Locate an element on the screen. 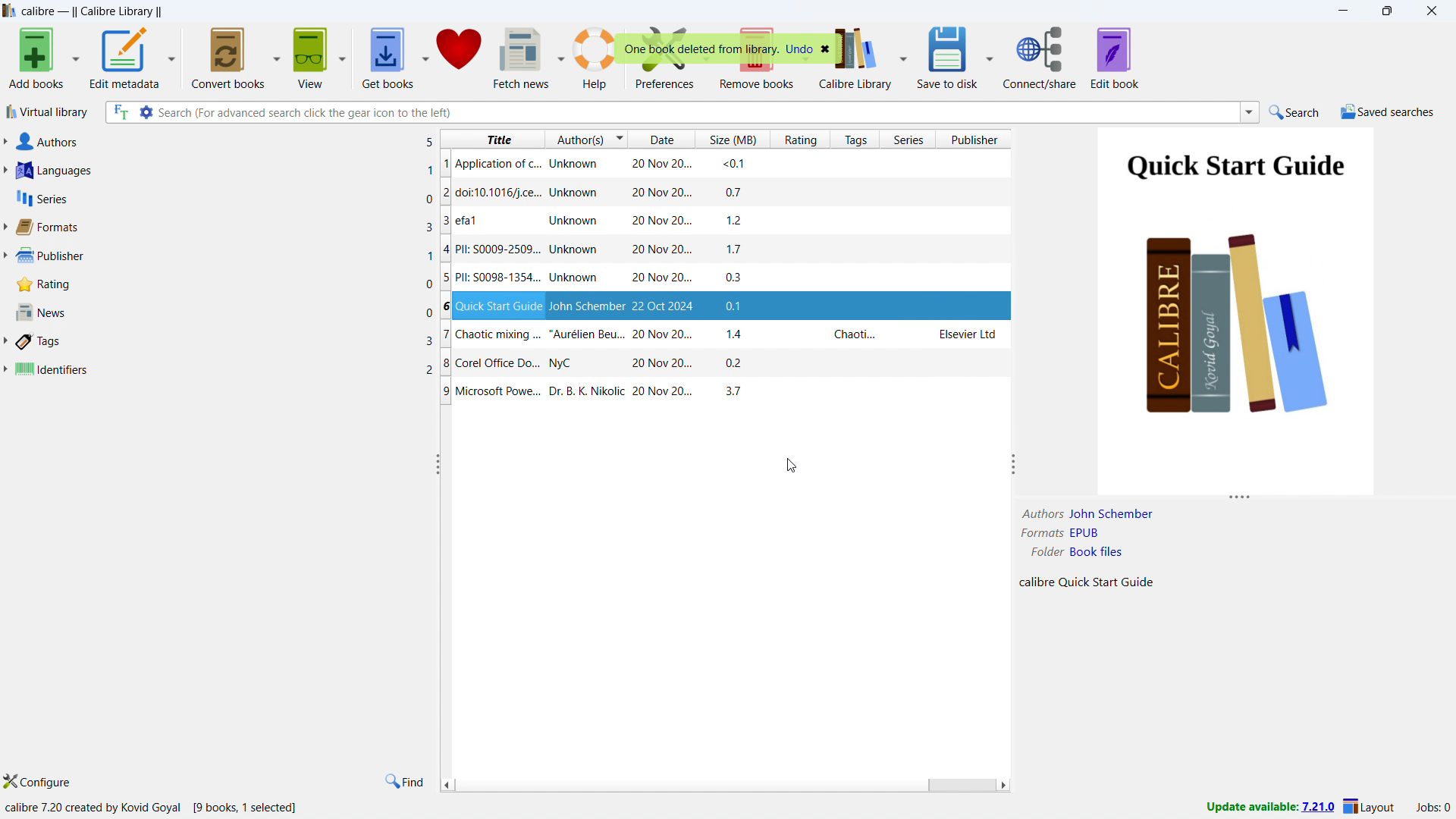 Image resolution: width=1456 pixels, height=819 pixels. saved serches menu is located at coordinates (1388, 114).